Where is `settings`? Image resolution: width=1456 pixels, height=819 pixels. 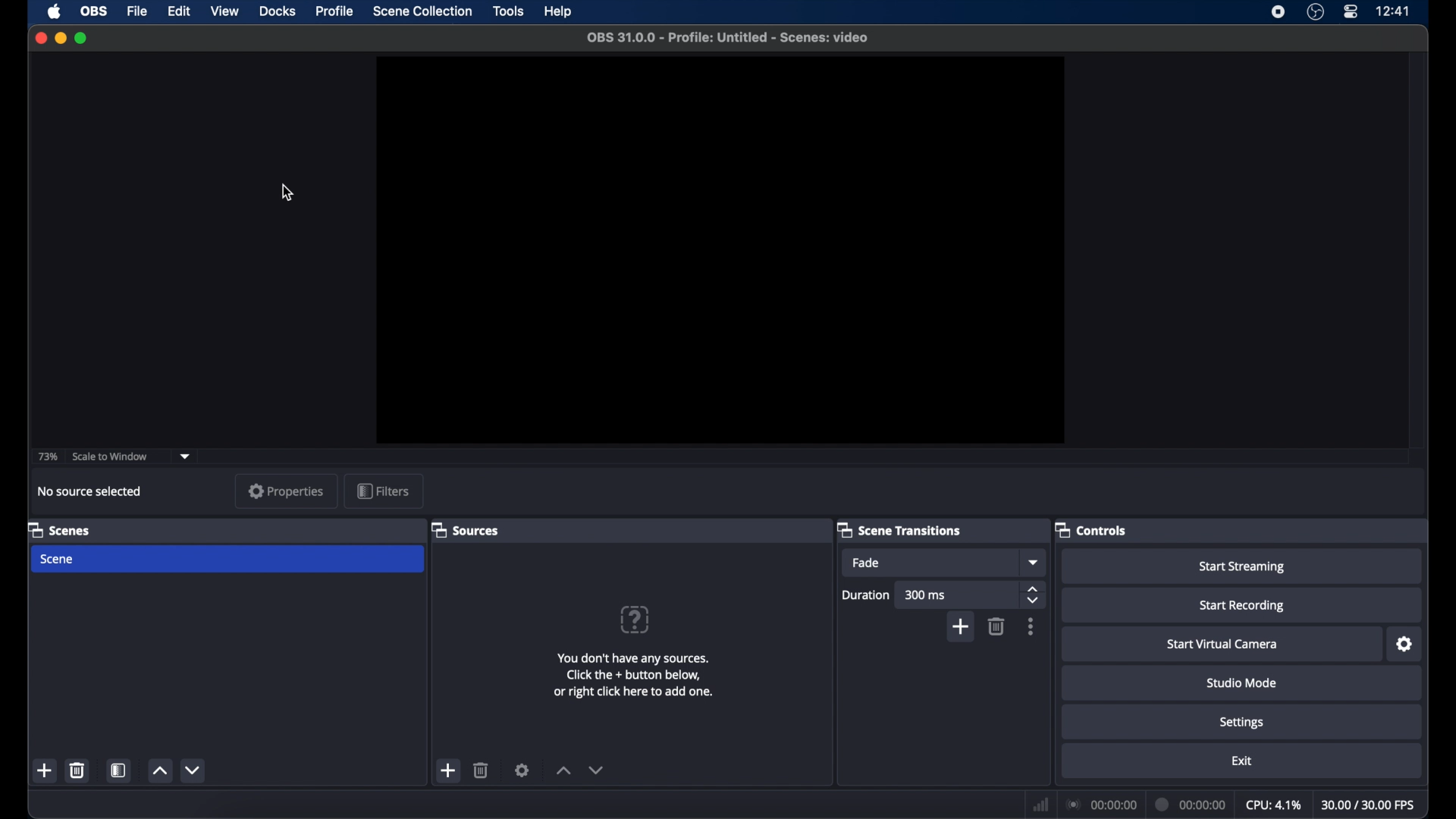
settings is located at coordinates (522, 770).